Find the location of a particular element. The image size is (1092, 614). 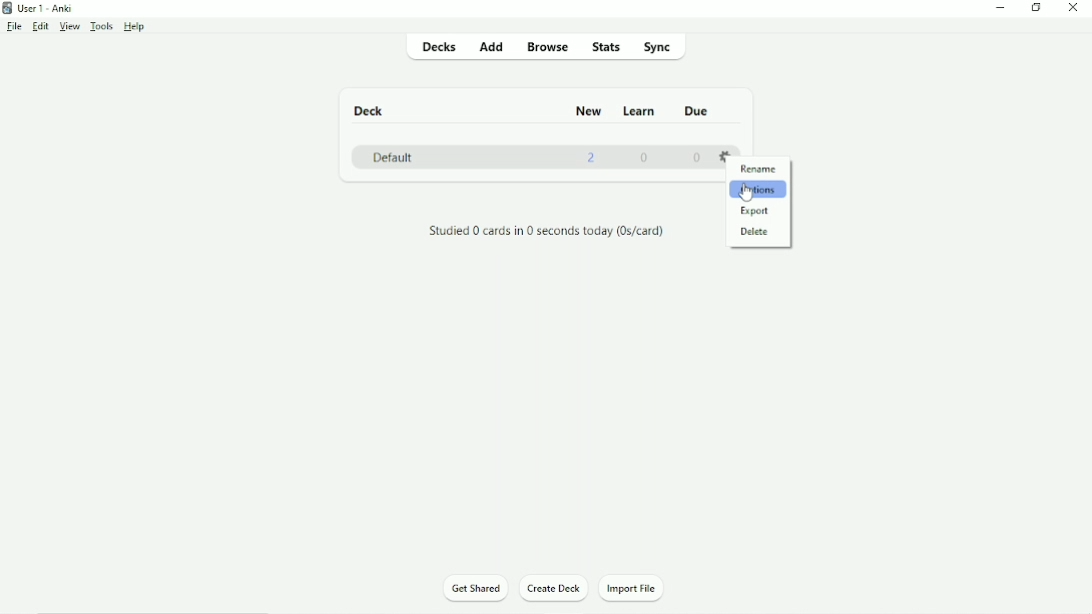

Decks is located at coordinates (442, 46).